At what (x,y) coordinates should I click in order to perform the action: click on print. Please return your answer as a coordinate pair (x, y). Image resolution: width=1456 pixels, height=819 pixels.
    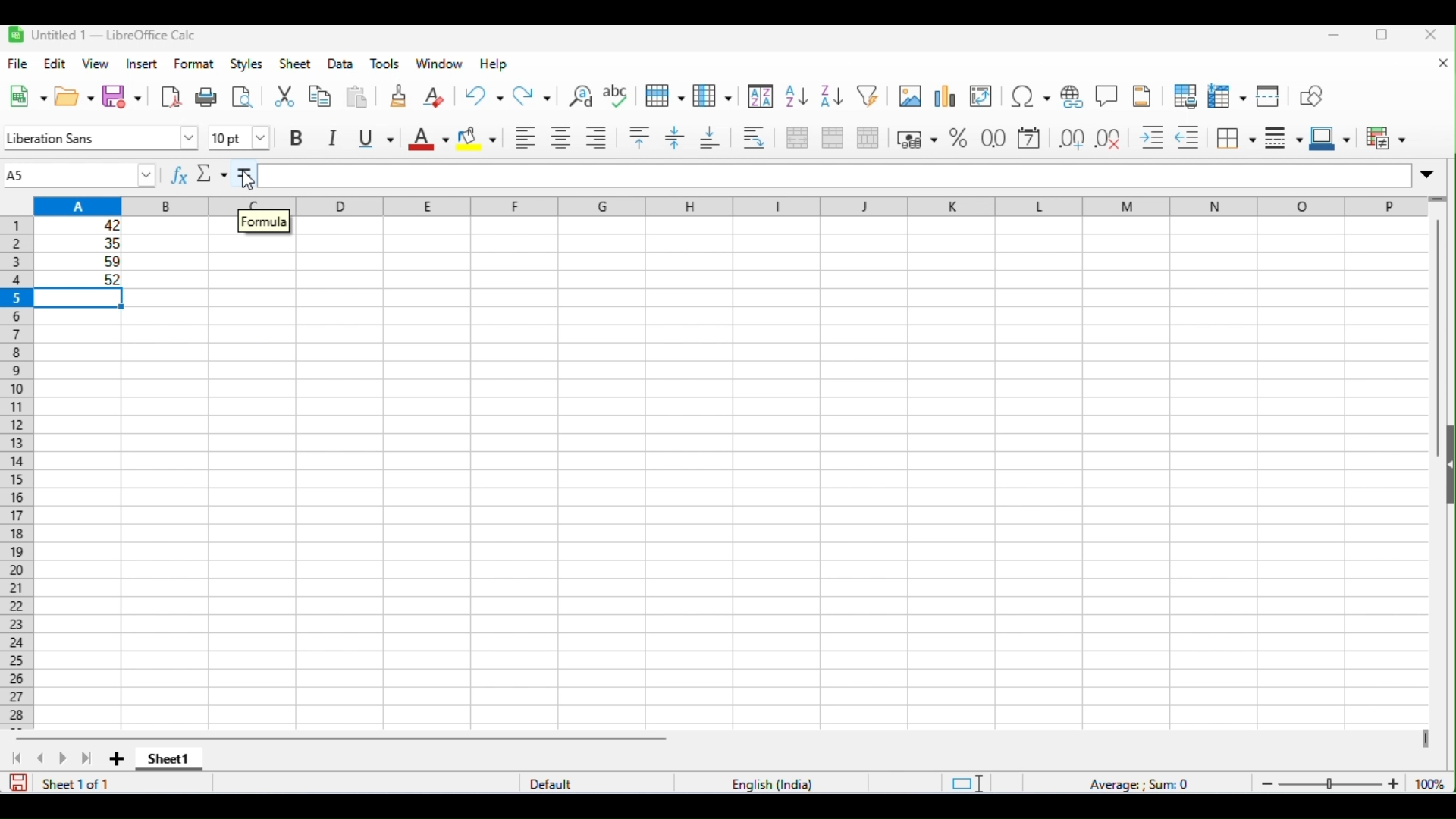
    Looking at the image, I should click on (205, 97).